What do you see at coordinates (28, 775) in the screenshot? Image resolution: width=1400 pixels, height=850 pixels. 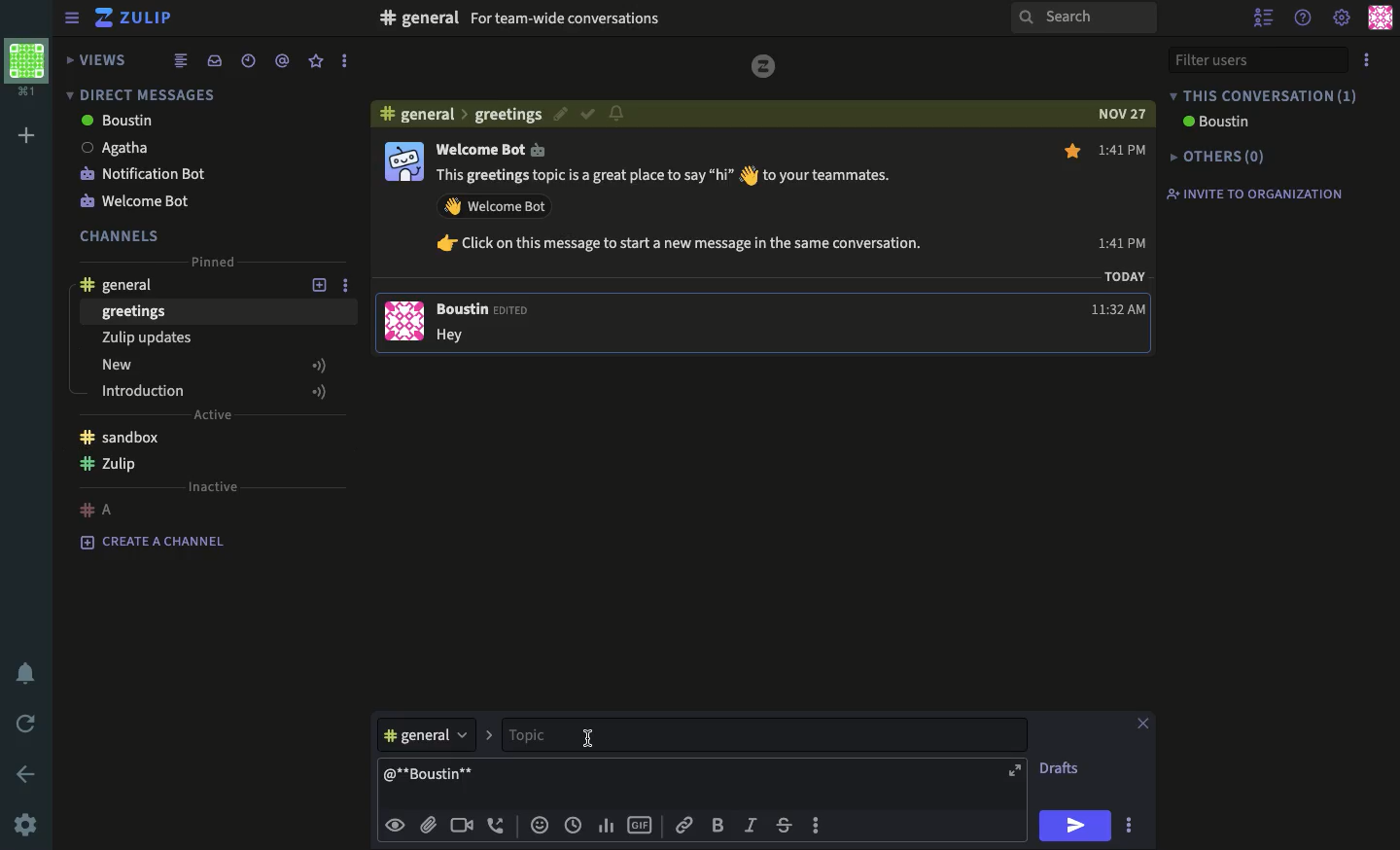 I see `back ` at bounding box center [28, 775].